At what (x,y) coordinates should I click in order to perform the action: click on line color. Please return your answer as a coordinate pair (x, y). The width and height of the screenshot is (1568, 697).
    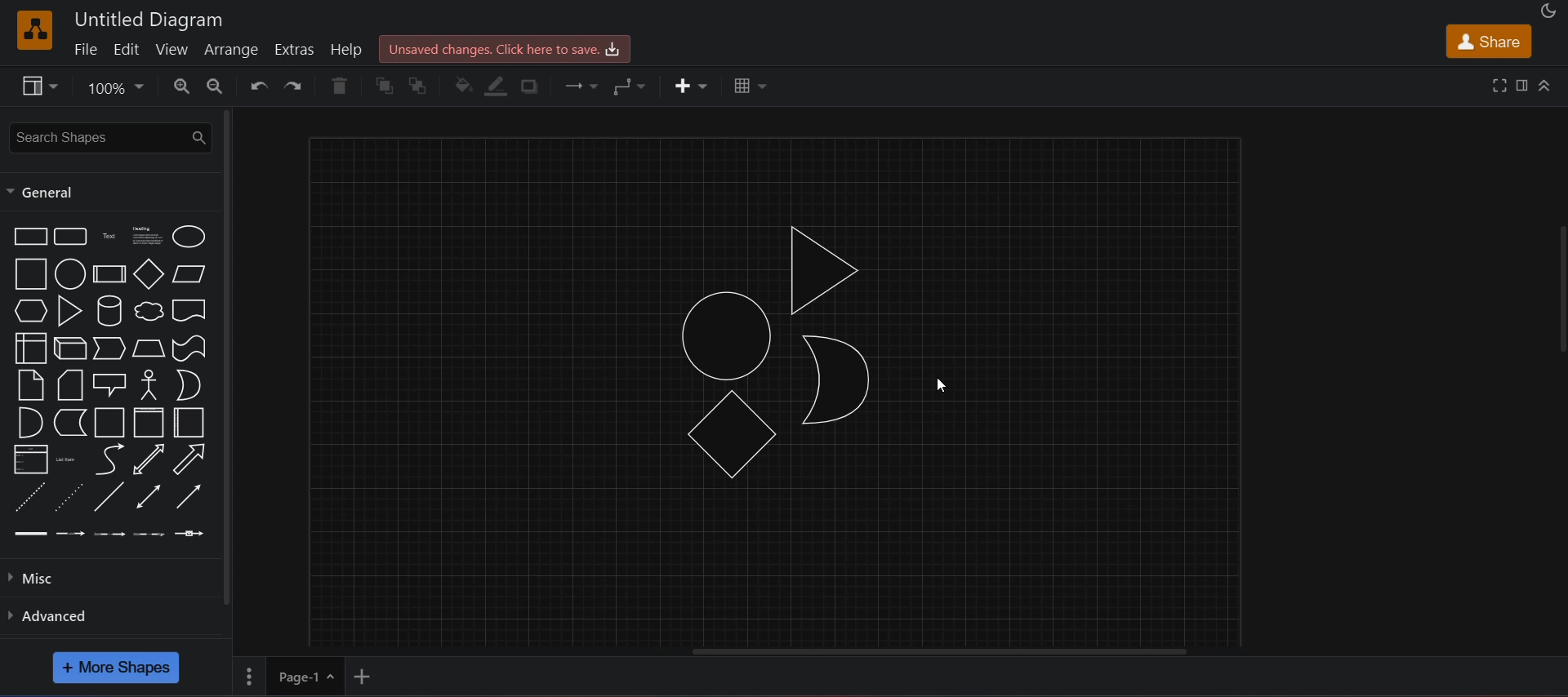
    Looking at the image, I should click on (498, 85).